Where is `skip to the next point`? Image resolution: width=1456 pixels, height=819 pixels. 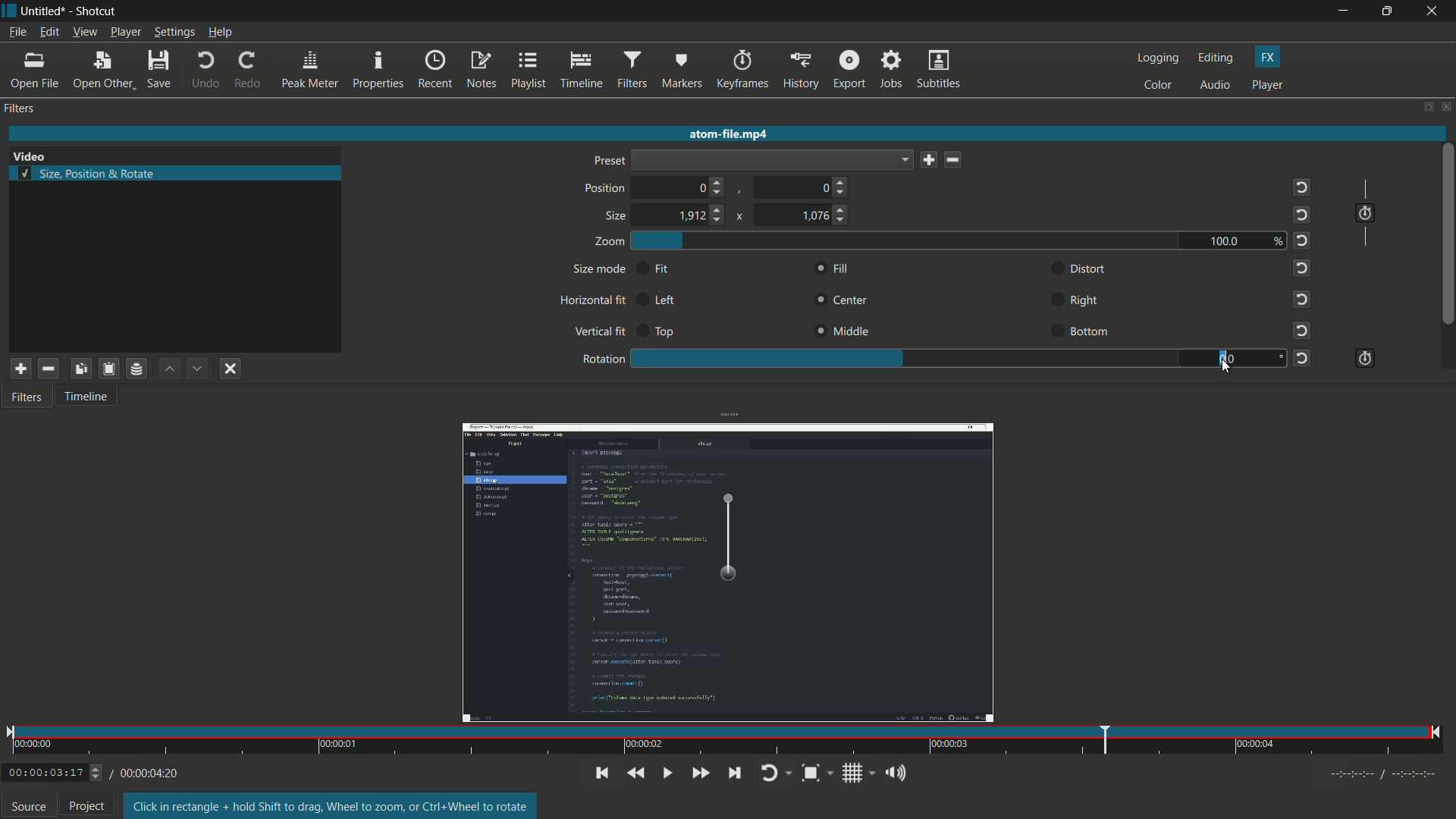 skip to the next point is located at coordinates (734, 773).